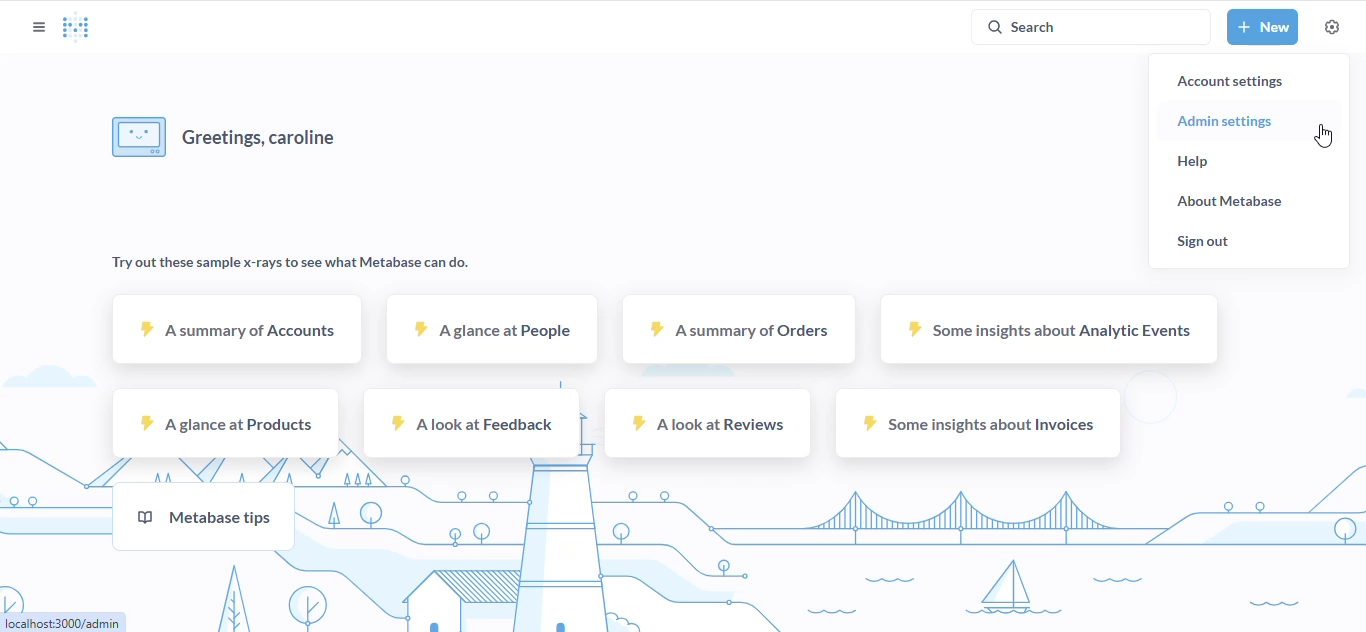 The image size is (1366, 632). I want to click on a look at reviews, so click(705, 423).